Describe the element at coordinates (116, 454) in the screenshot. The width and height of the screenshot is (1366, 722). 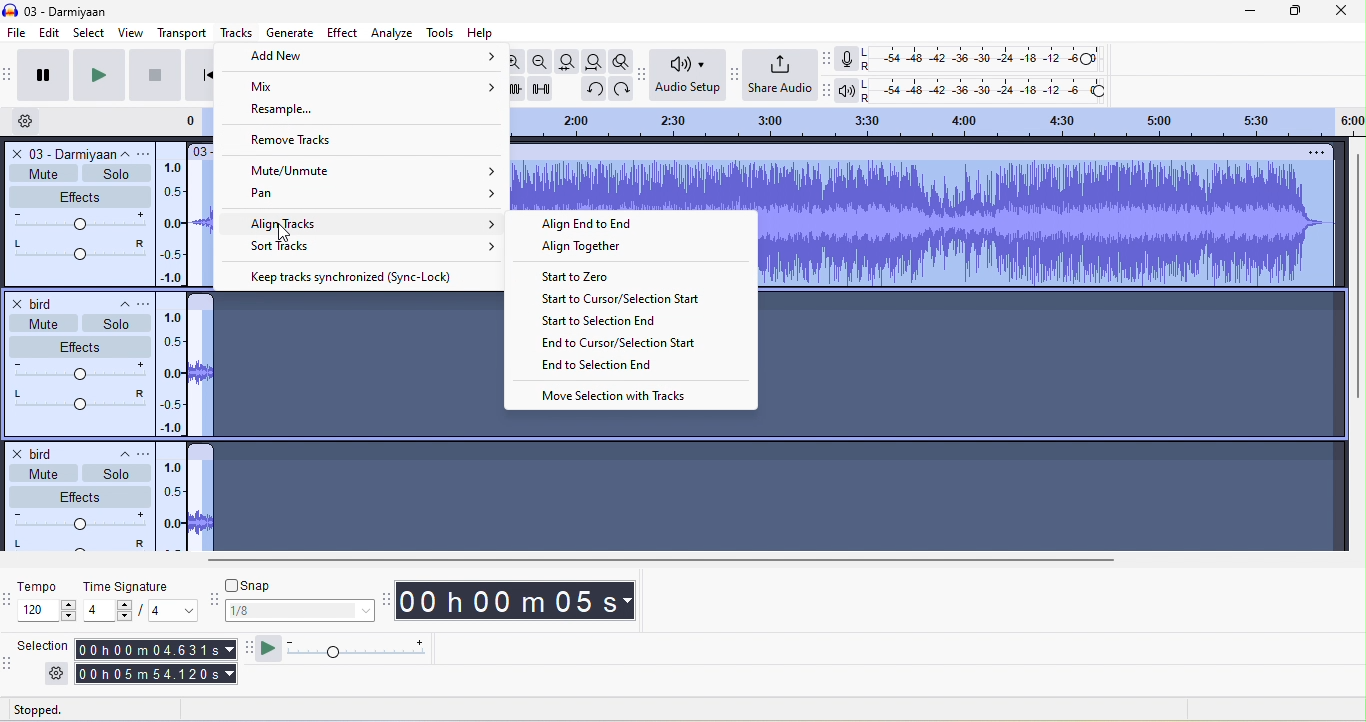
I see `collapse` at that location.